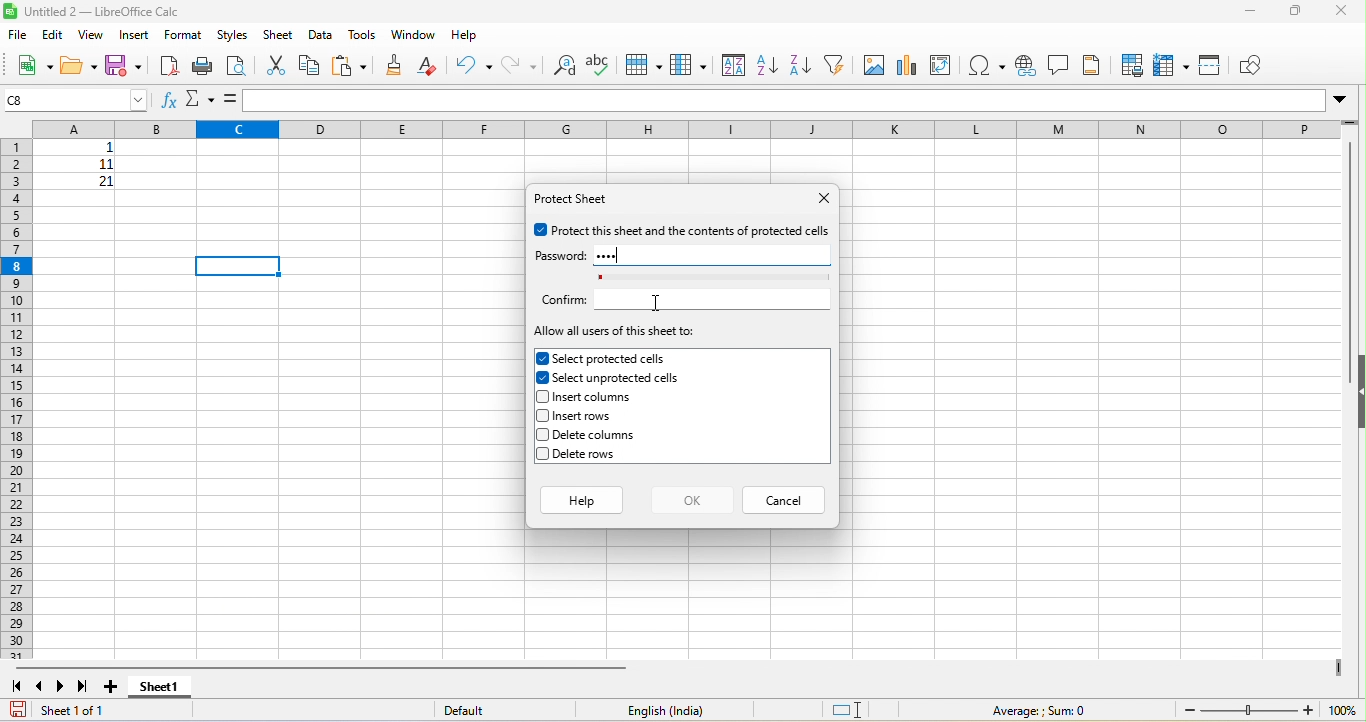 The image size is (1366, 722). What do you see at coordinates (474, 66) in the screenshot?
I see `undo` at bounding box center [474, 66].